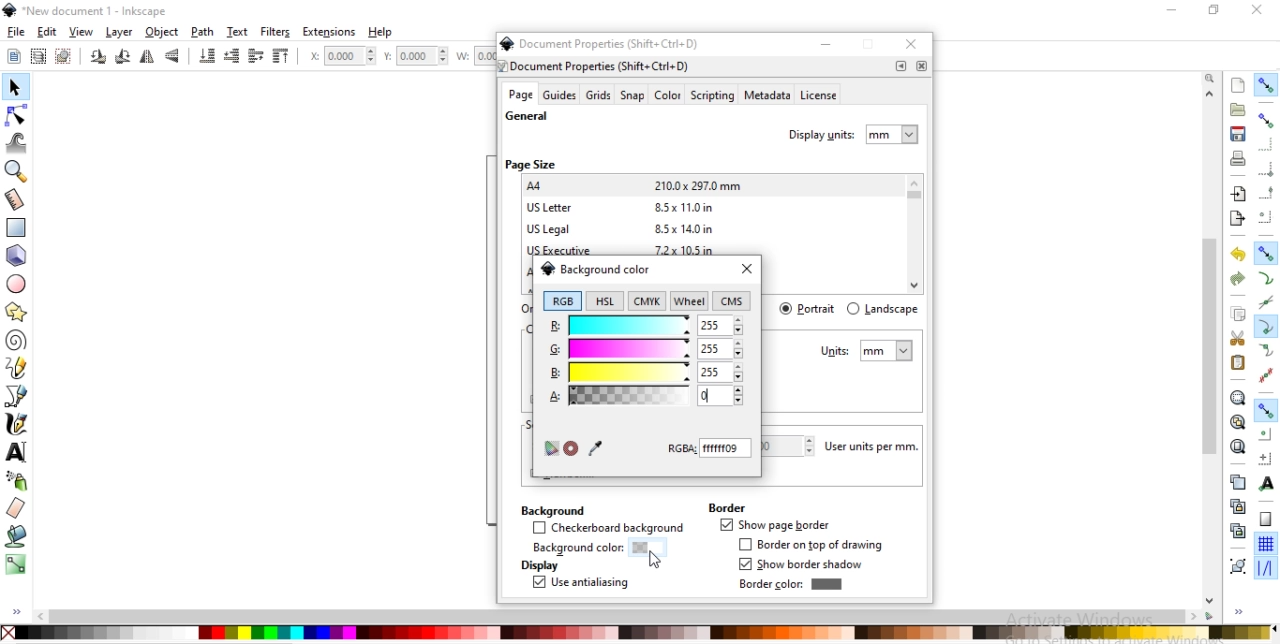  I want to click on snapping centers of bounding boxes, so click(1265, 217).